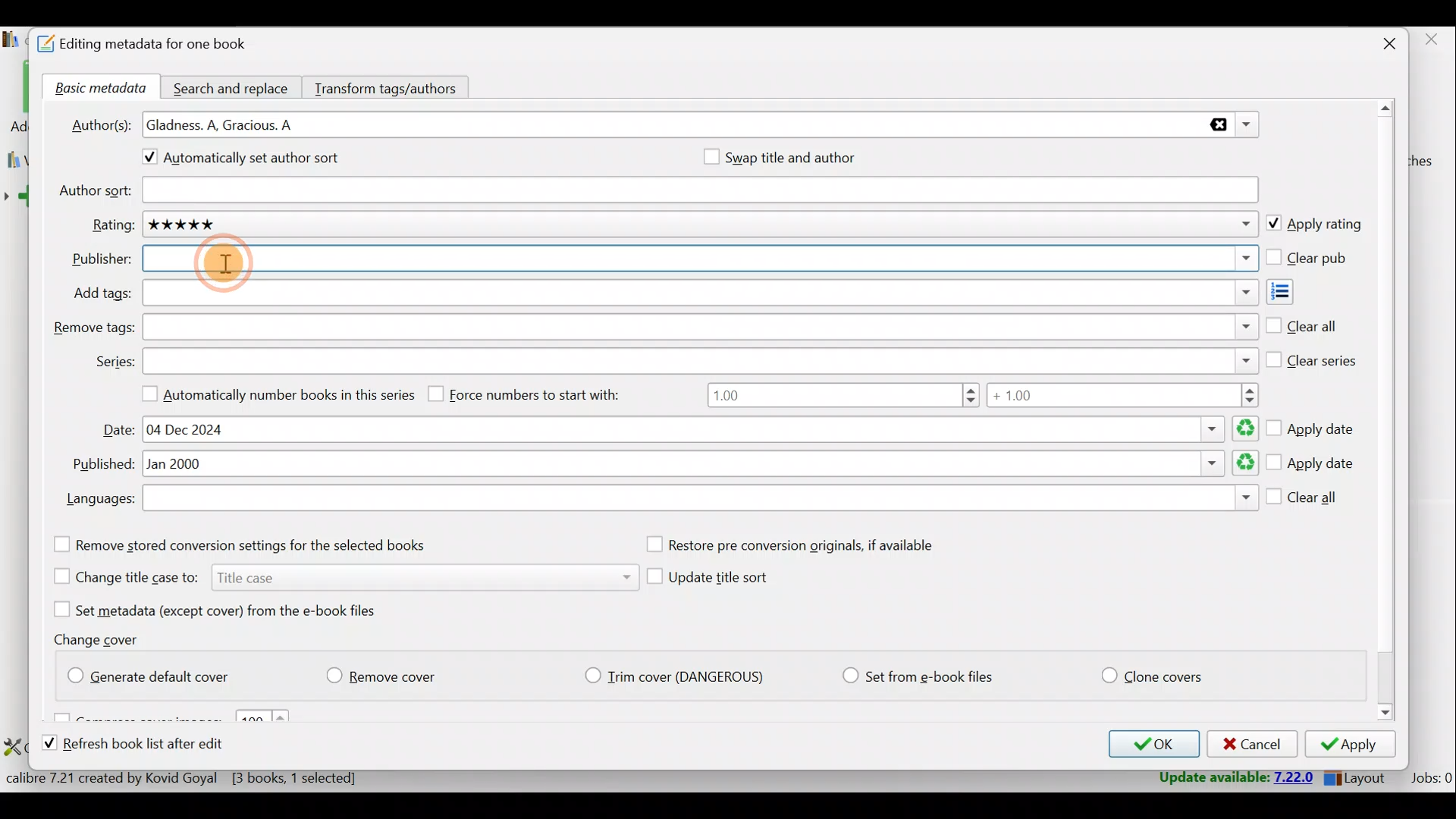  Describe the element at coordinates (100, 465) in the screenshot. I see `Published:` at that location.